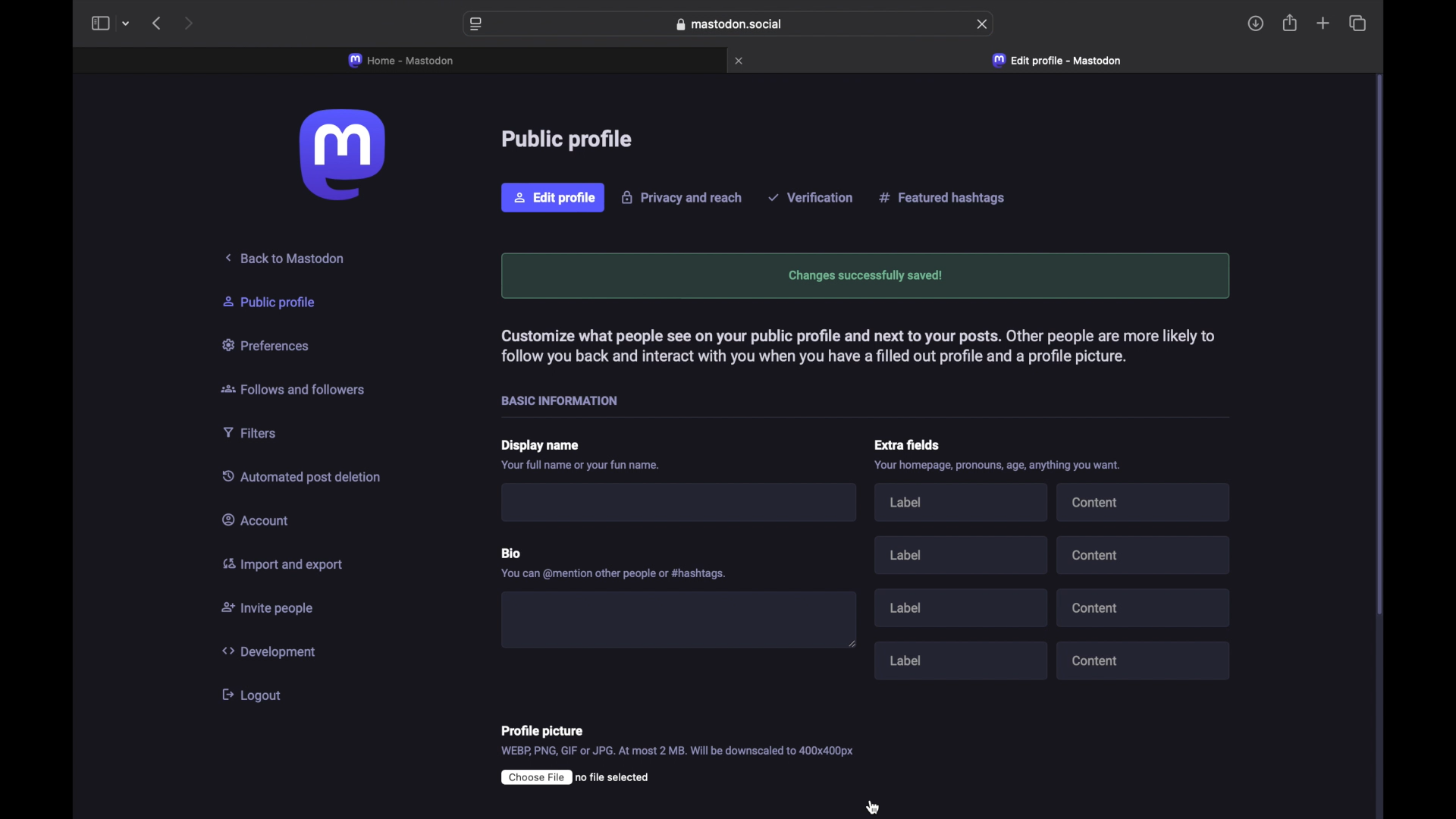  Describe the element at coordinates (678, 742) in the screenshot. I see `Profile picture
WEBP, PNG, GIF or JPG. At most 2 MB. Will be downscaled to 400x400px` at that location.